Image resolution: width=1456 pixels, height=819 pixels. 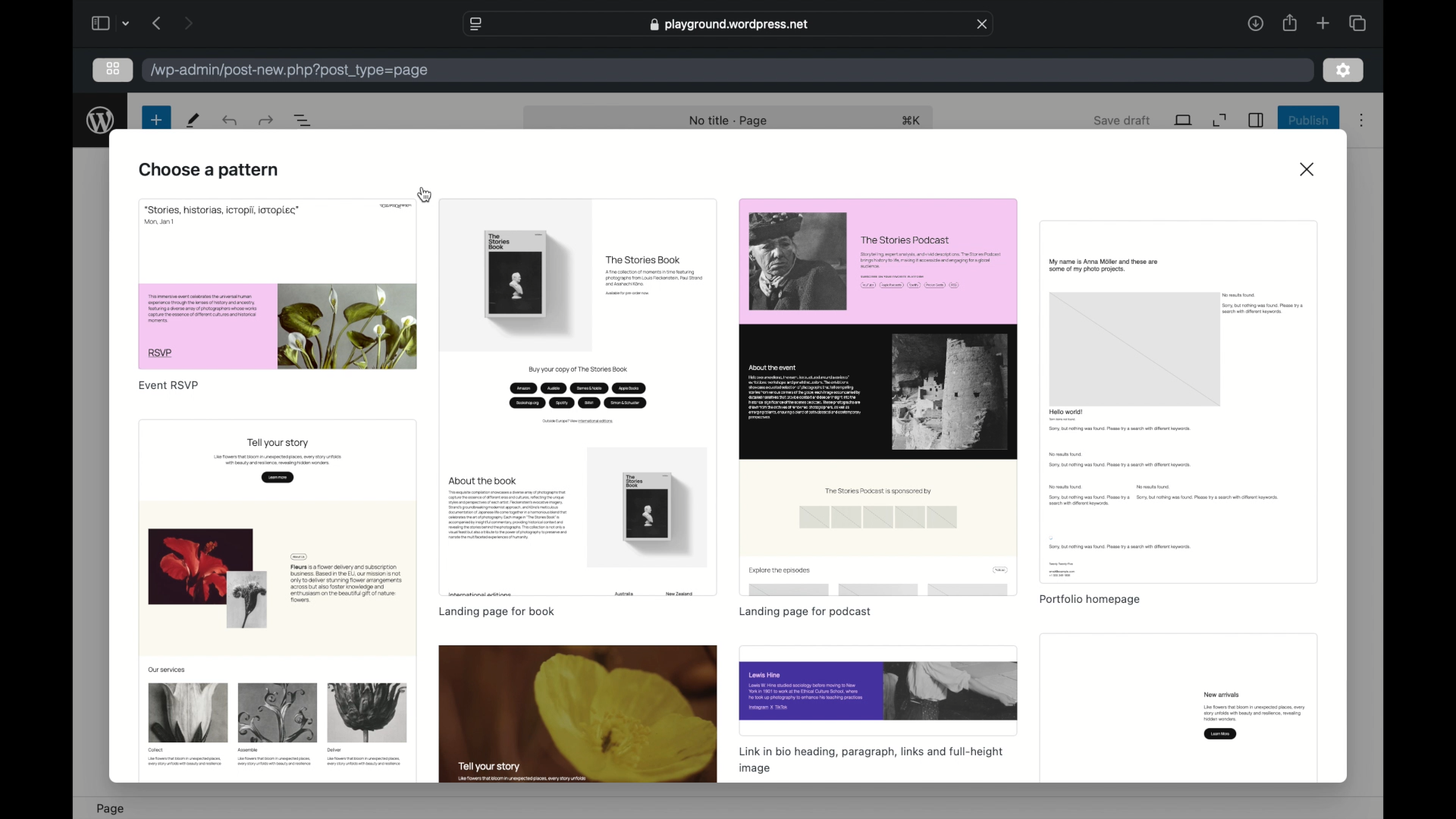 I want to click on shortcut, so click(x=914, y=121).